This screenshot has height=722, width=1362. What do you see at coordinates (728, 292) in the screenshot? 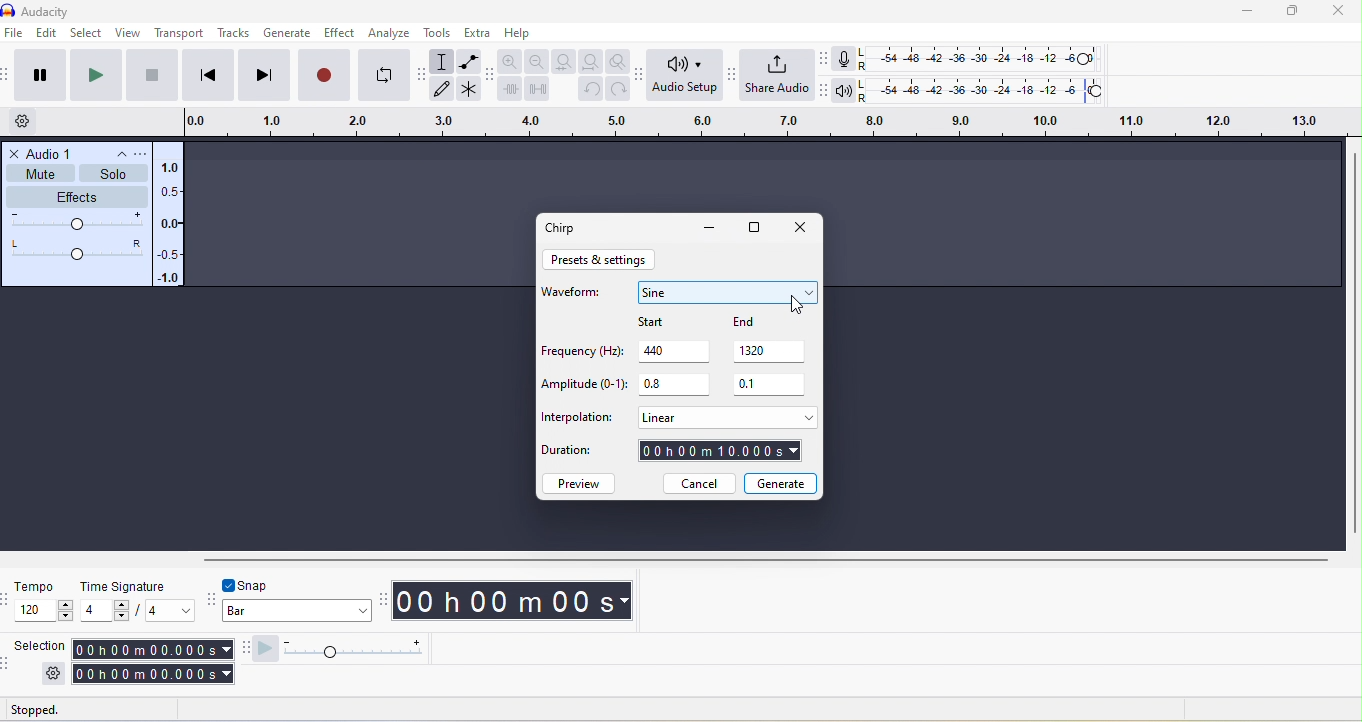
I see `sine` at bounding box center [728, 292].